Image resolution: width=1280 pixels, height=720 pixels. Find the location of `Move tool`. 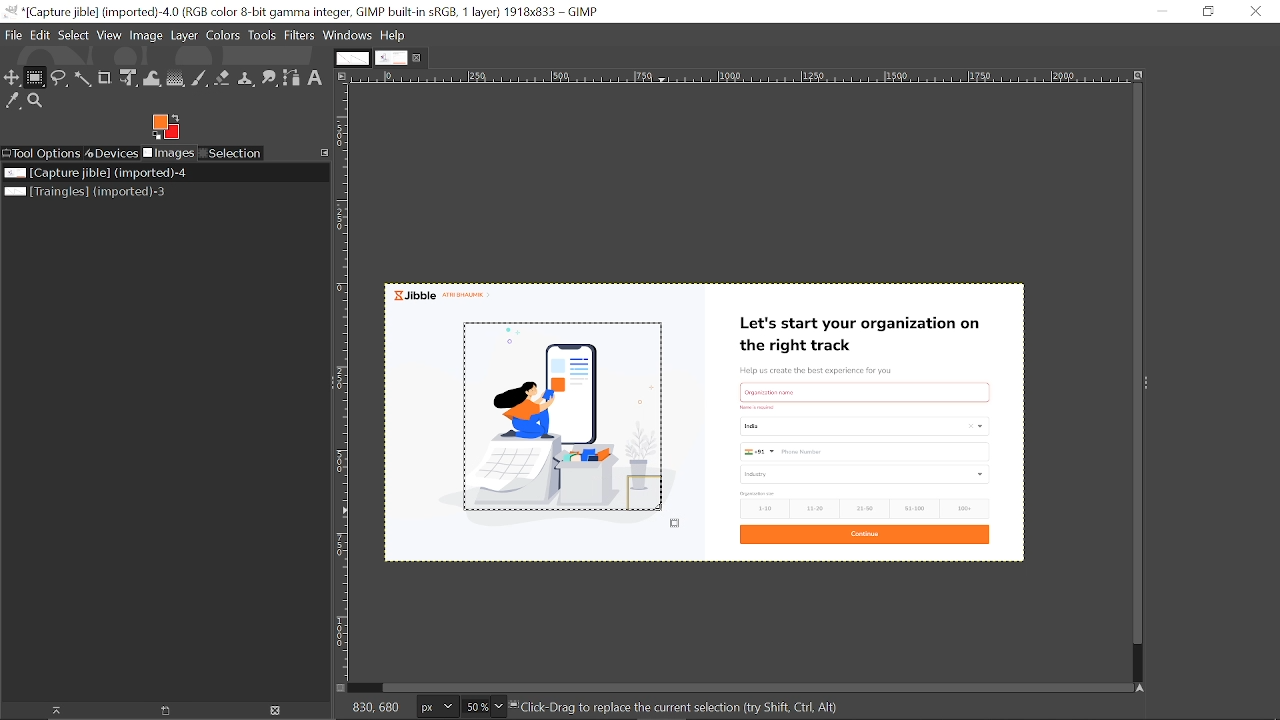

Move tool is located at coordinates (13, 78).